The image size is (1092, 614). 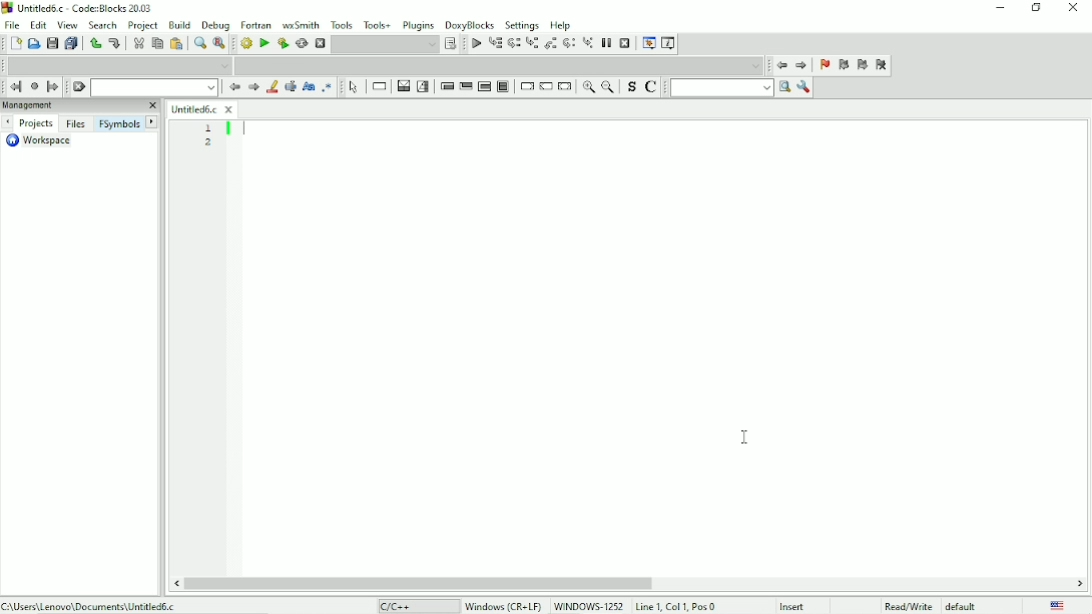 What do you see at coordinates (79, 87) in the screenshot?
I see `Clear` at bounding box center [79, 87].